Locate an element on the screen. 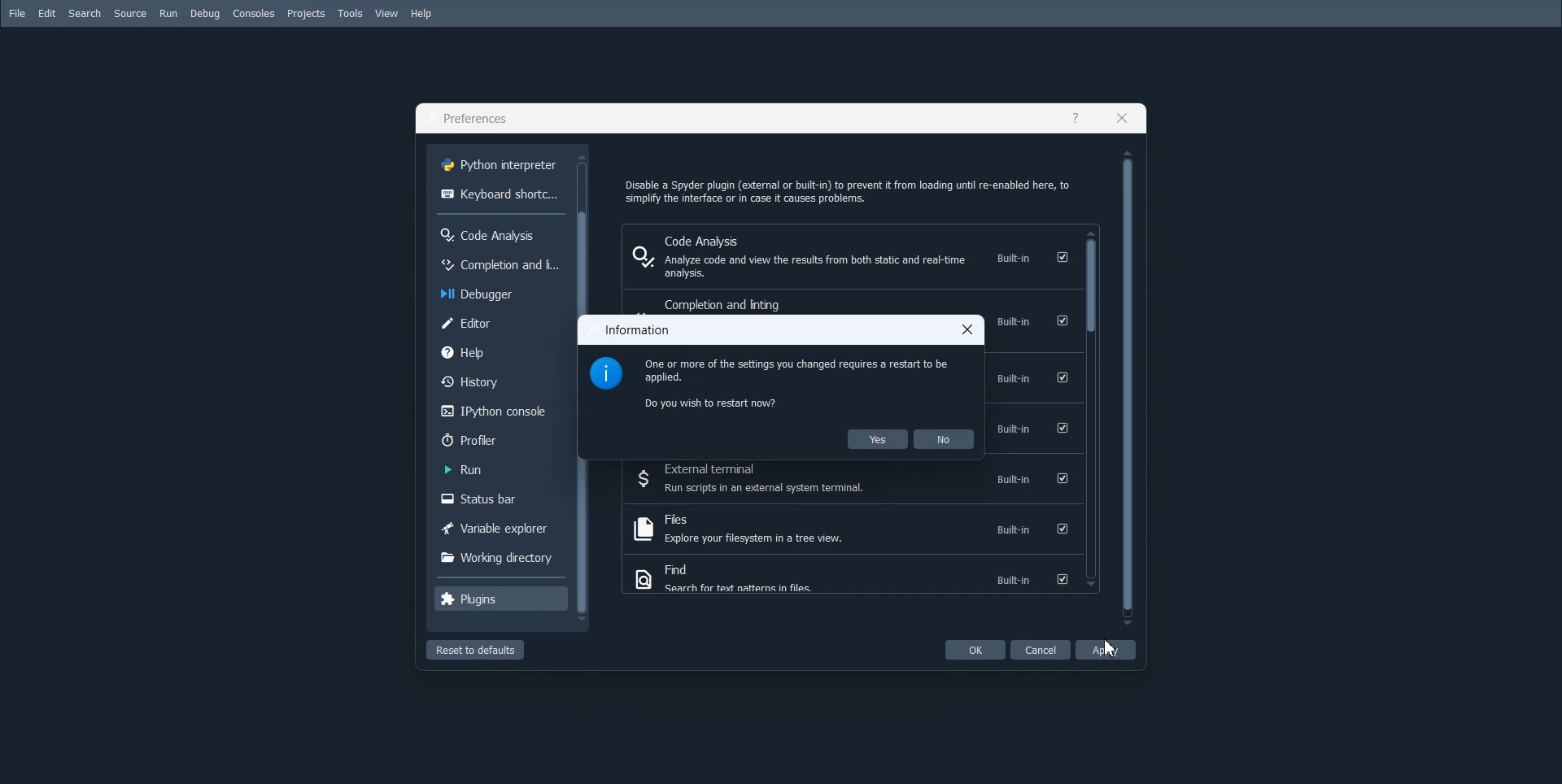 Image resolution: width=1562 pixels, height=784 pixels. Help is located at coordinates (1076, 120).